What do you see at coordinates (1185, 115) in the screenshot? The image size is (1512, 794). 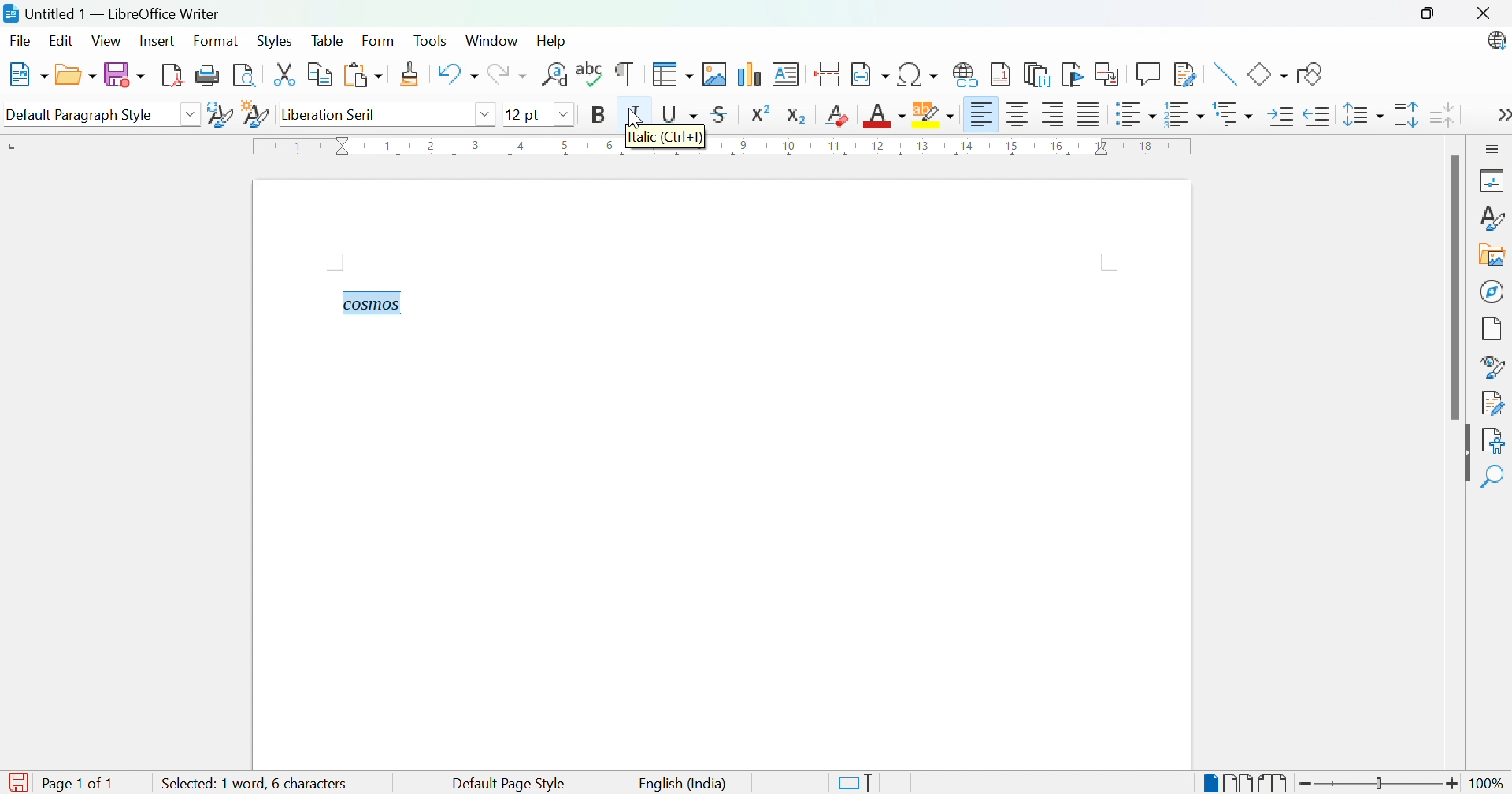 I see `Toggle ordered list` at bounding box center [1185, 115].